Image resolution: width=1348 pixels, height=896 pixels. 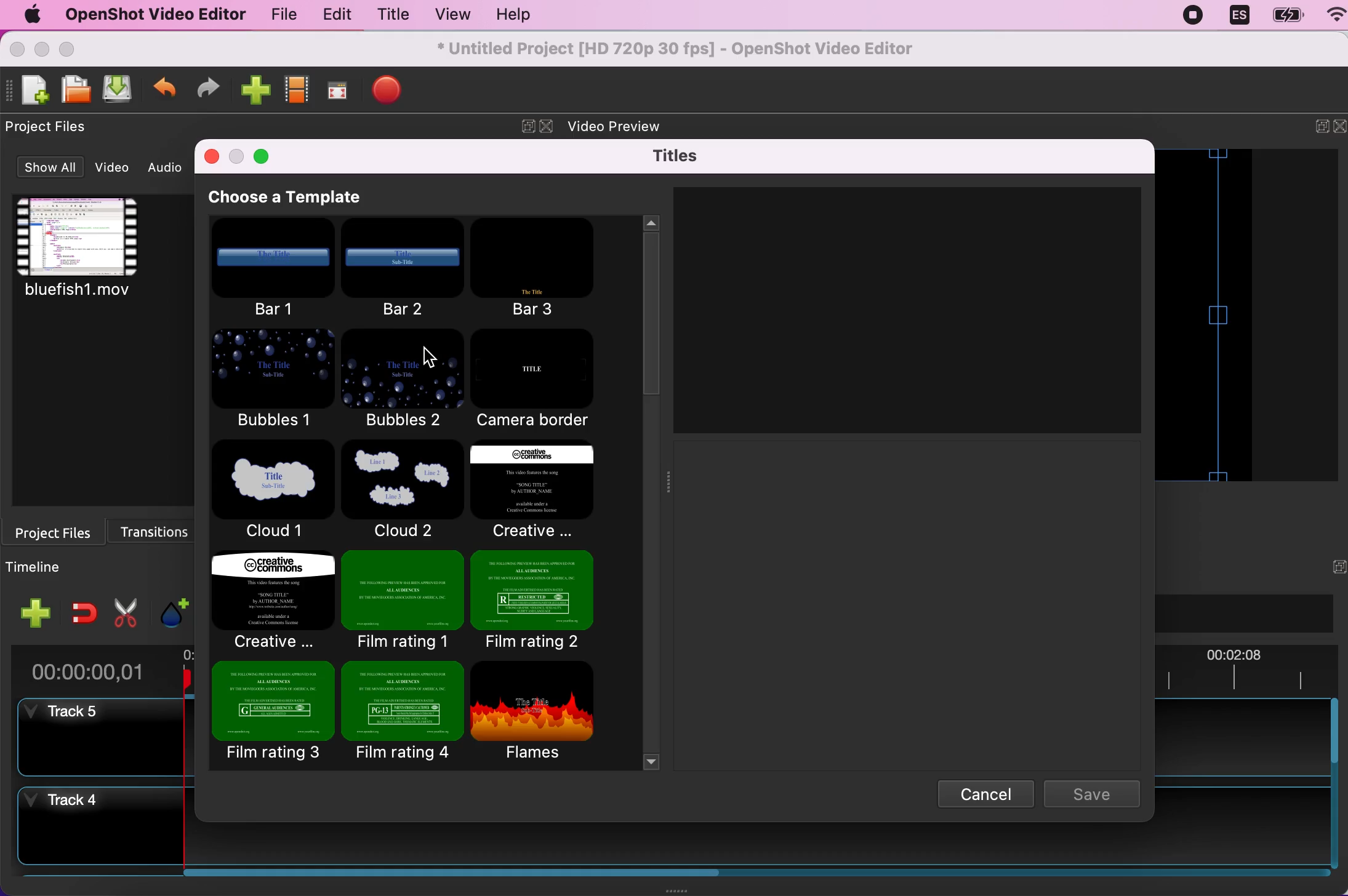 I want to click on battery, so click(x=1283, y=16).